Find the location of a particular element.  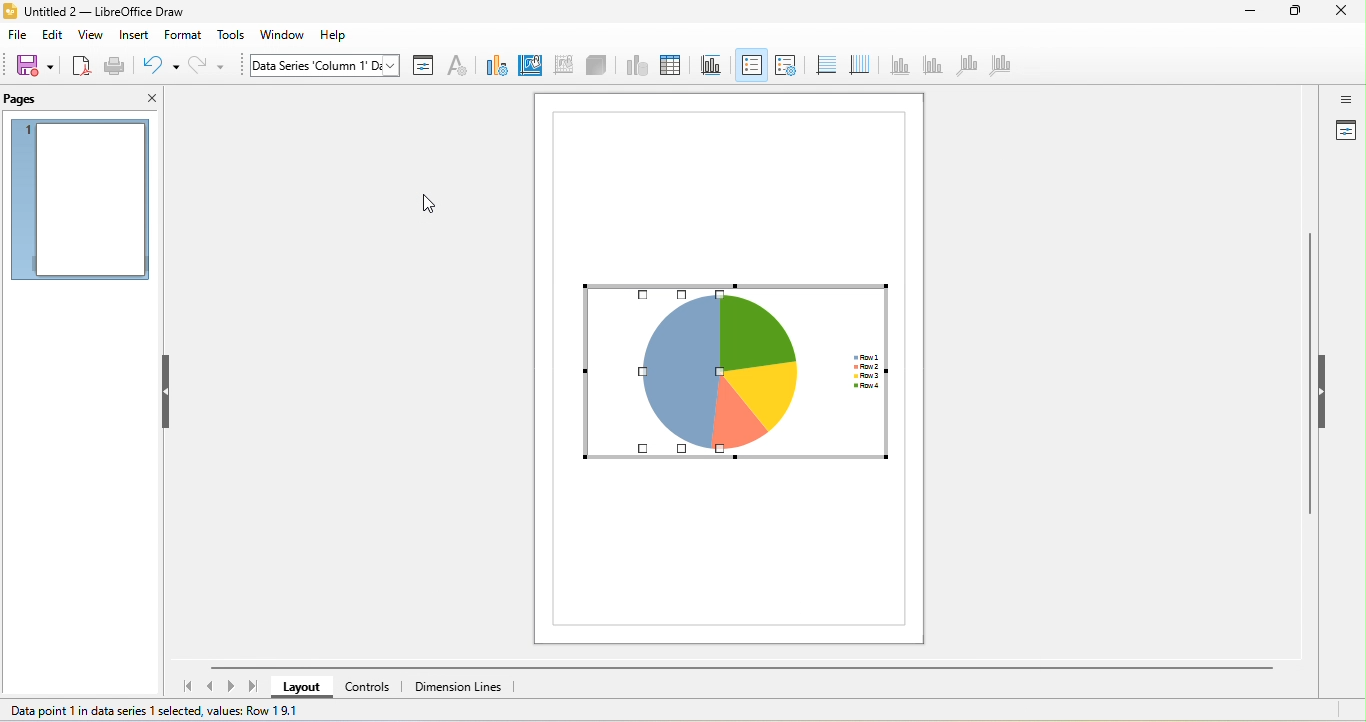

file is located at coordinates (17, 36).